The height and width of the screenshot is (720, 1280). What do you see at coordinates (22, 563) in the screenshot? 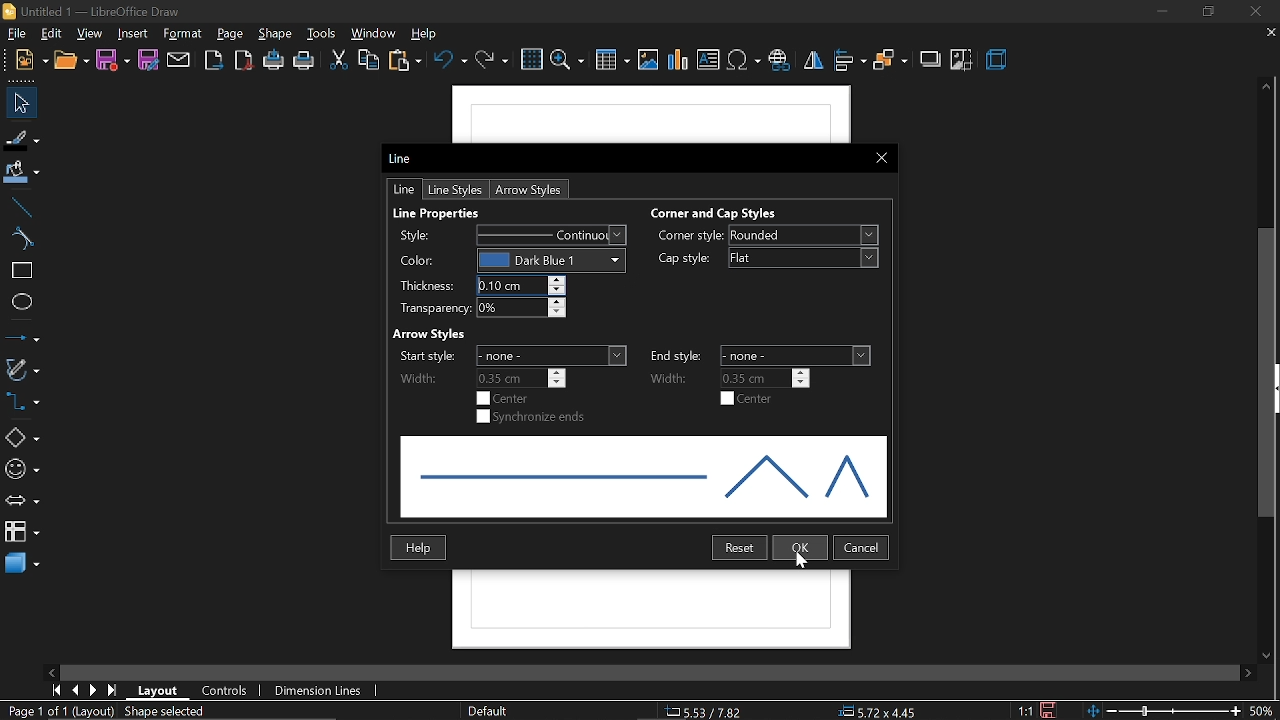
I see `3d shapes` at bounding box center [22, 563].